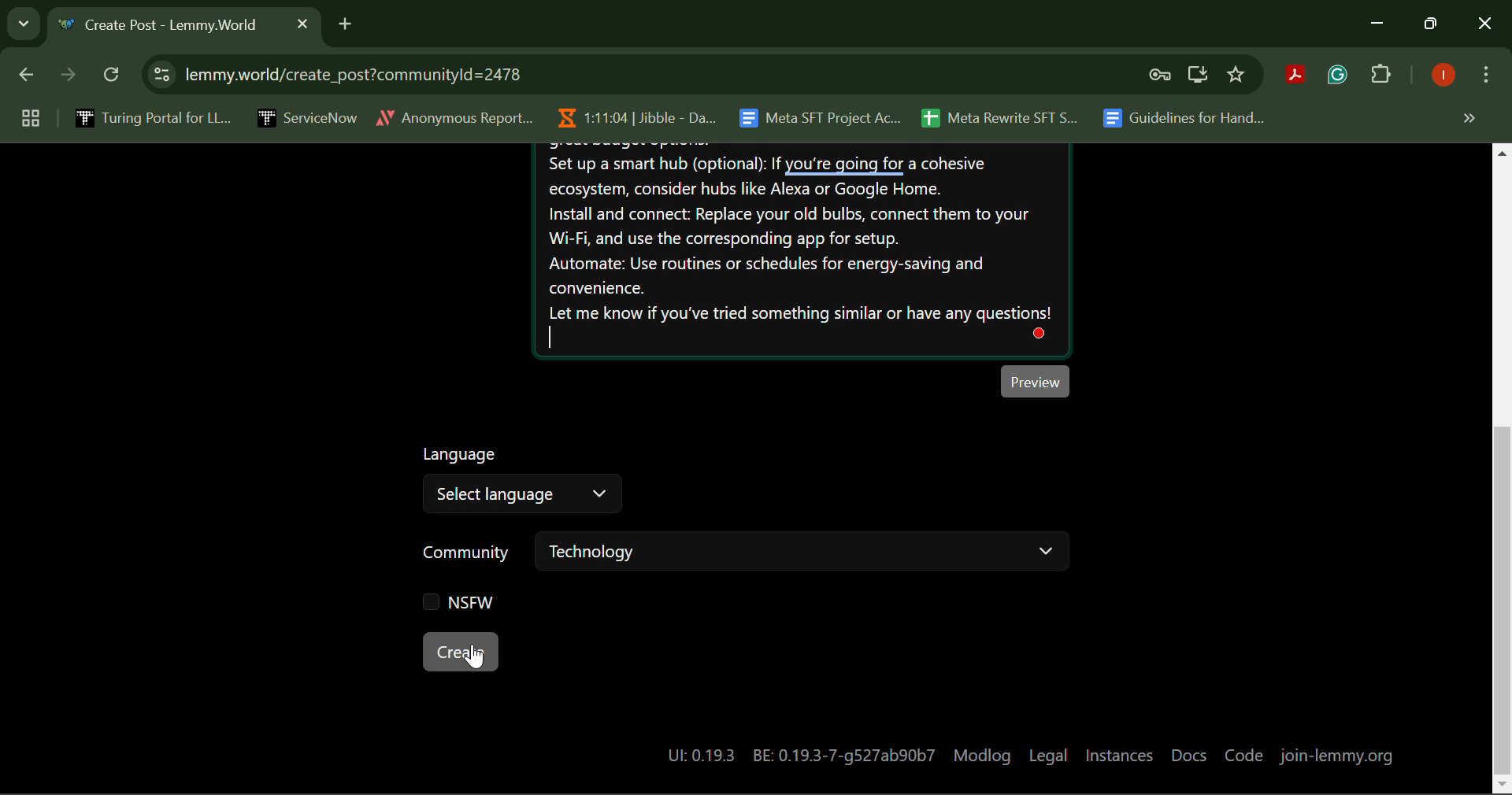  Describe the element at coordinates (792, 751) in the screenshot. I see `System Details` at that location.